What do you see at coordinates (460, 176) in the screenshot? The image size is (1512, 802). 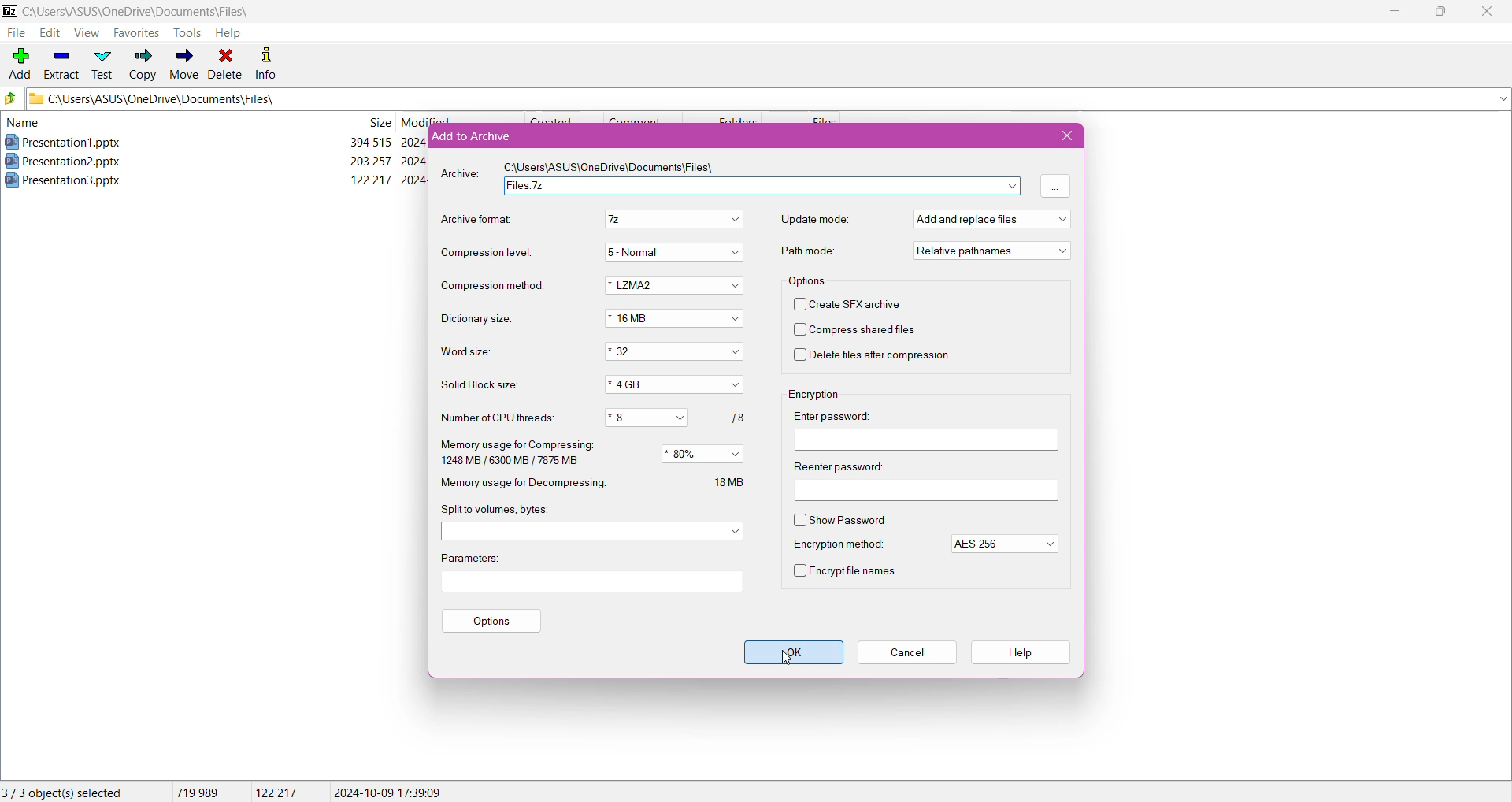 I see `Archive` at bounding box center [460, 176].